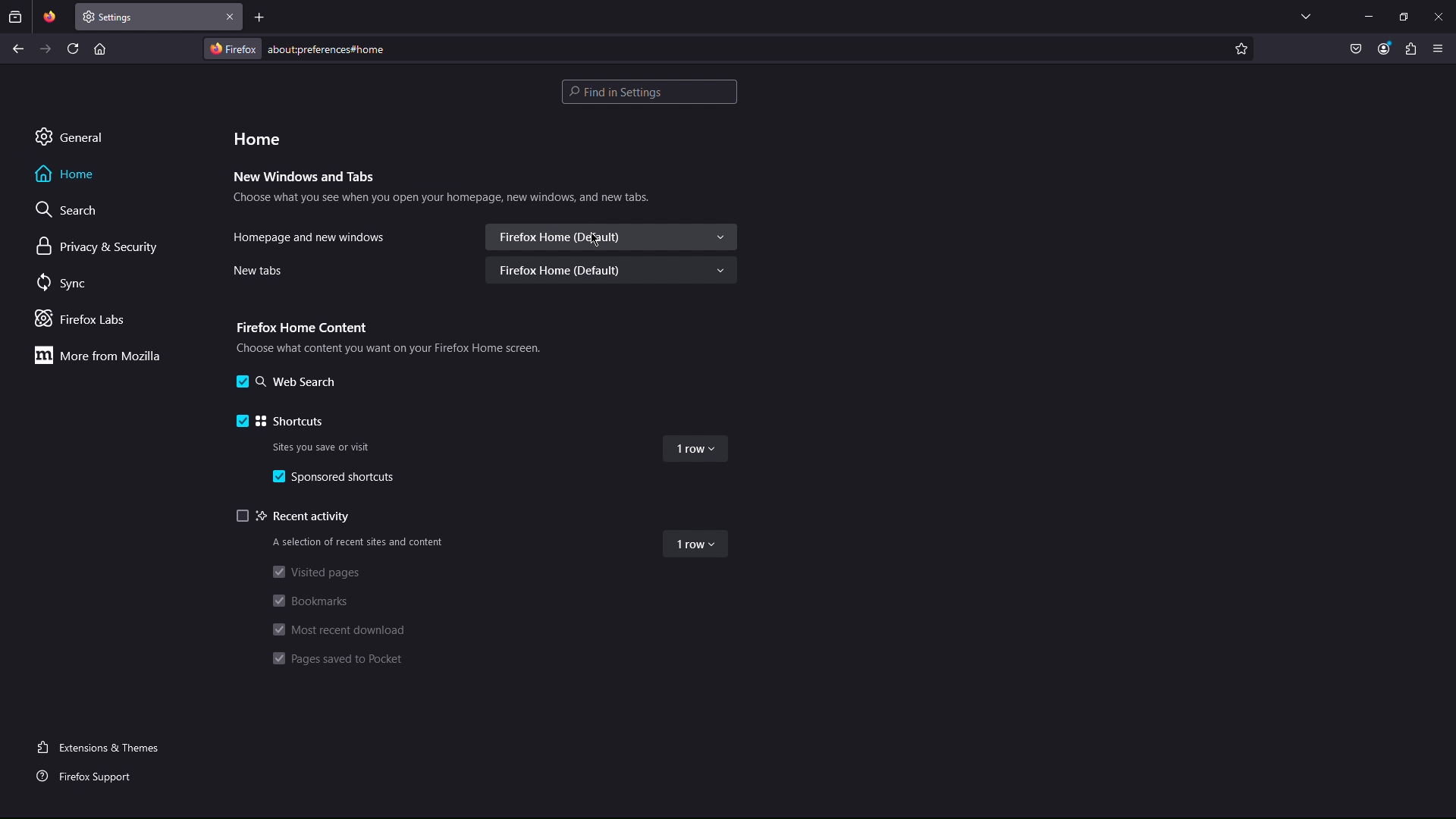  I want to click on Recent activity, so click(297, 518).